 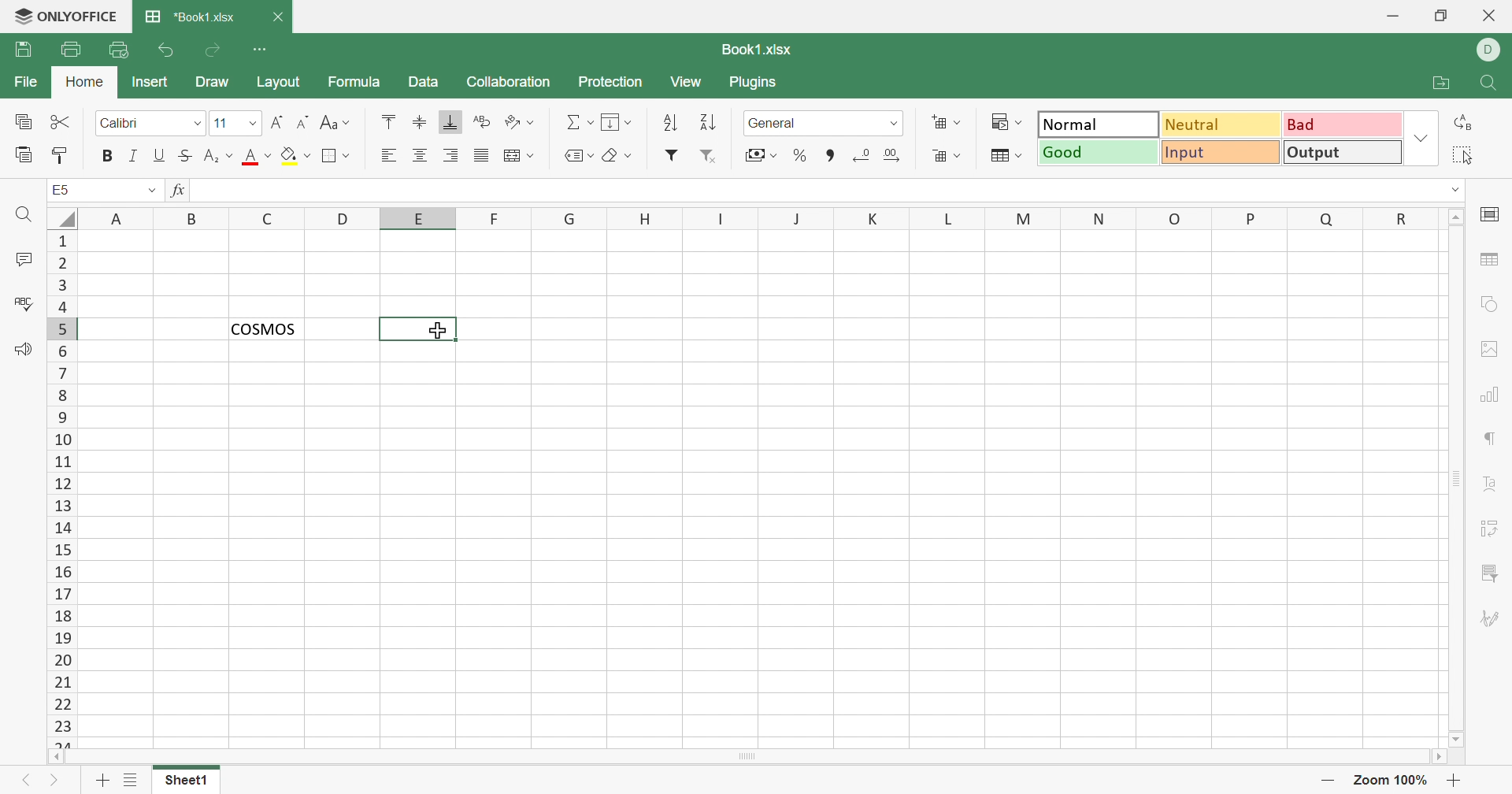 What do you see at coordinates (671, 155) in the screenshot?
I see `Filter` at bounding box center [671, 155].